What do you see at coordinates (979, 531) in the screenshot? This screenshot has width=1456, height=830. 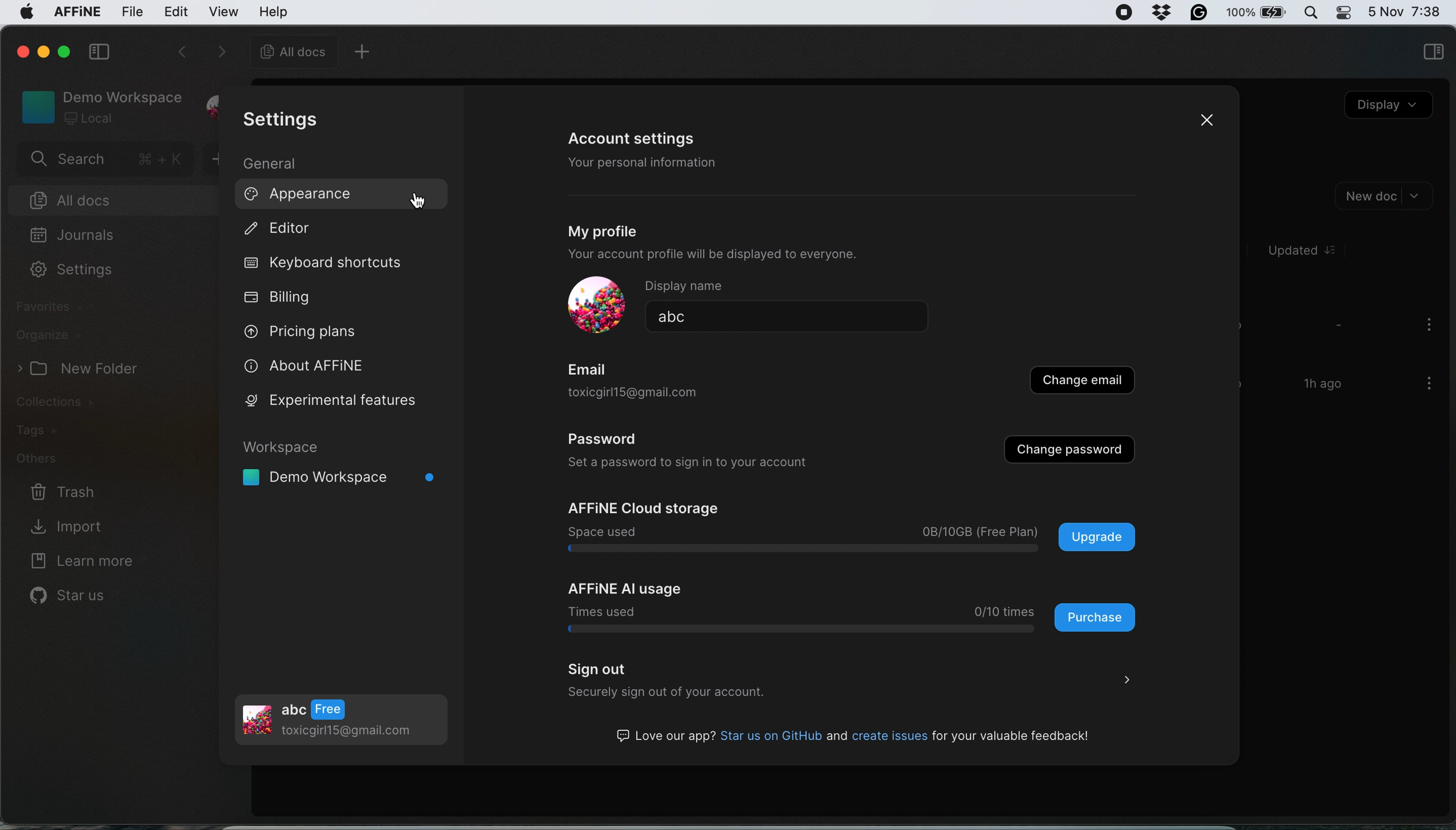 I see `0B/10GB (Free Plan)` at bounding box center [979, 531].